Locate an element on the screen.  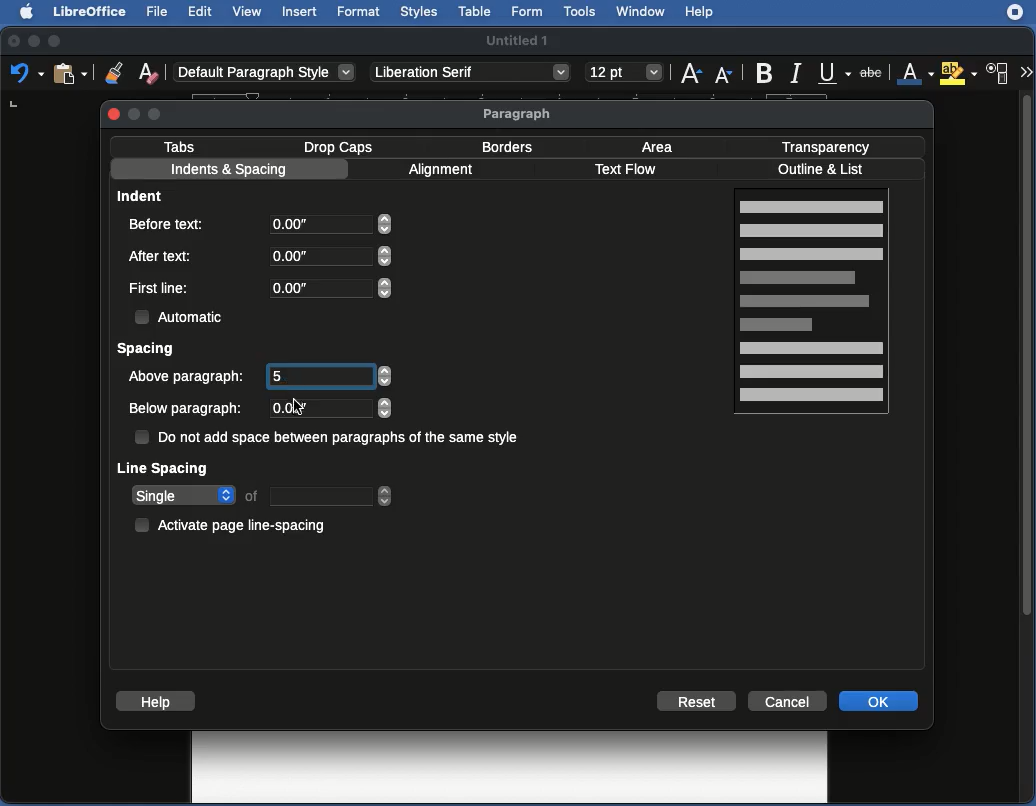
5 is located at coordinates (321, 375).